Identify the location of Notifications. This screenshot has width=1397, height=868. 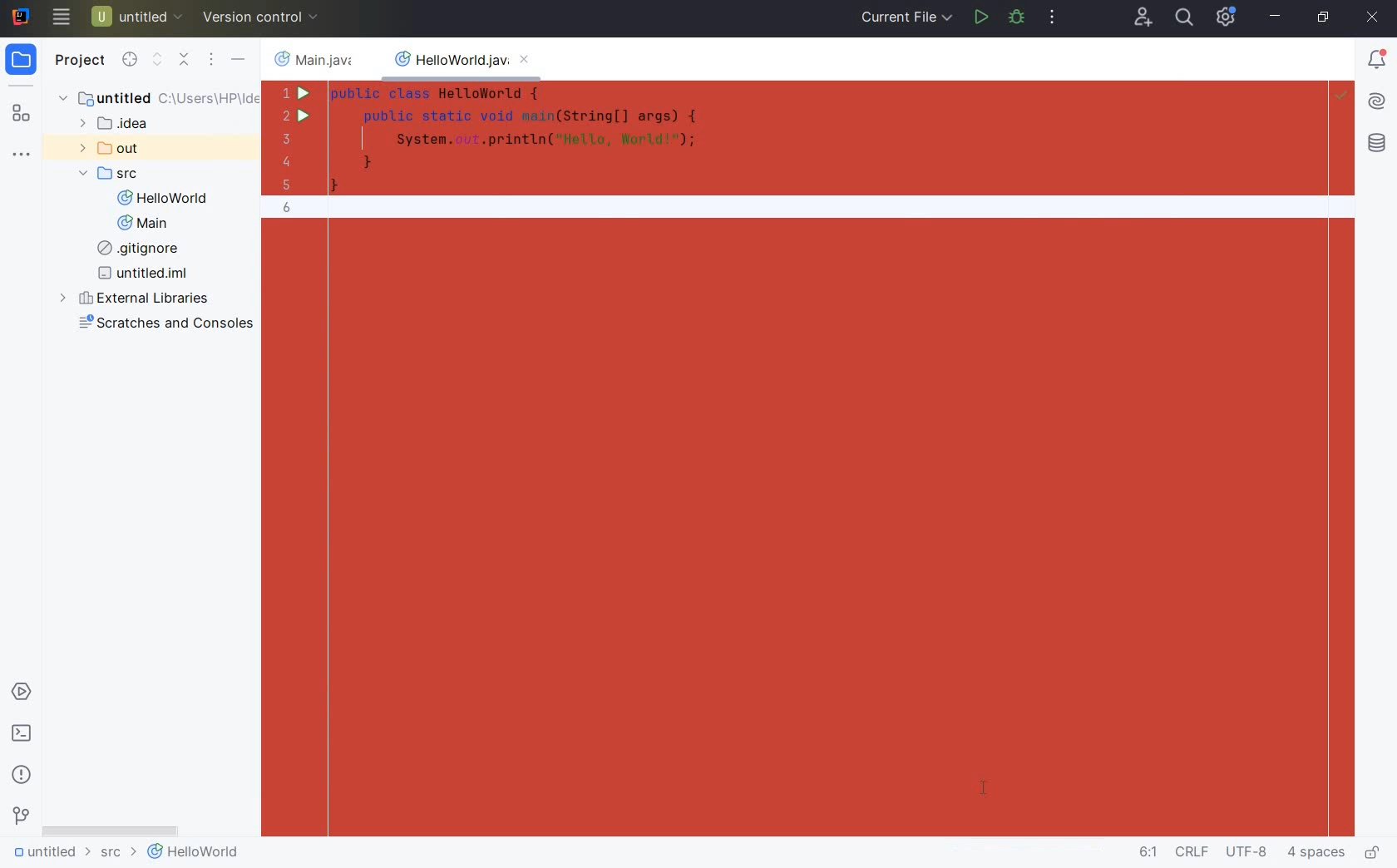
(1378, 61).